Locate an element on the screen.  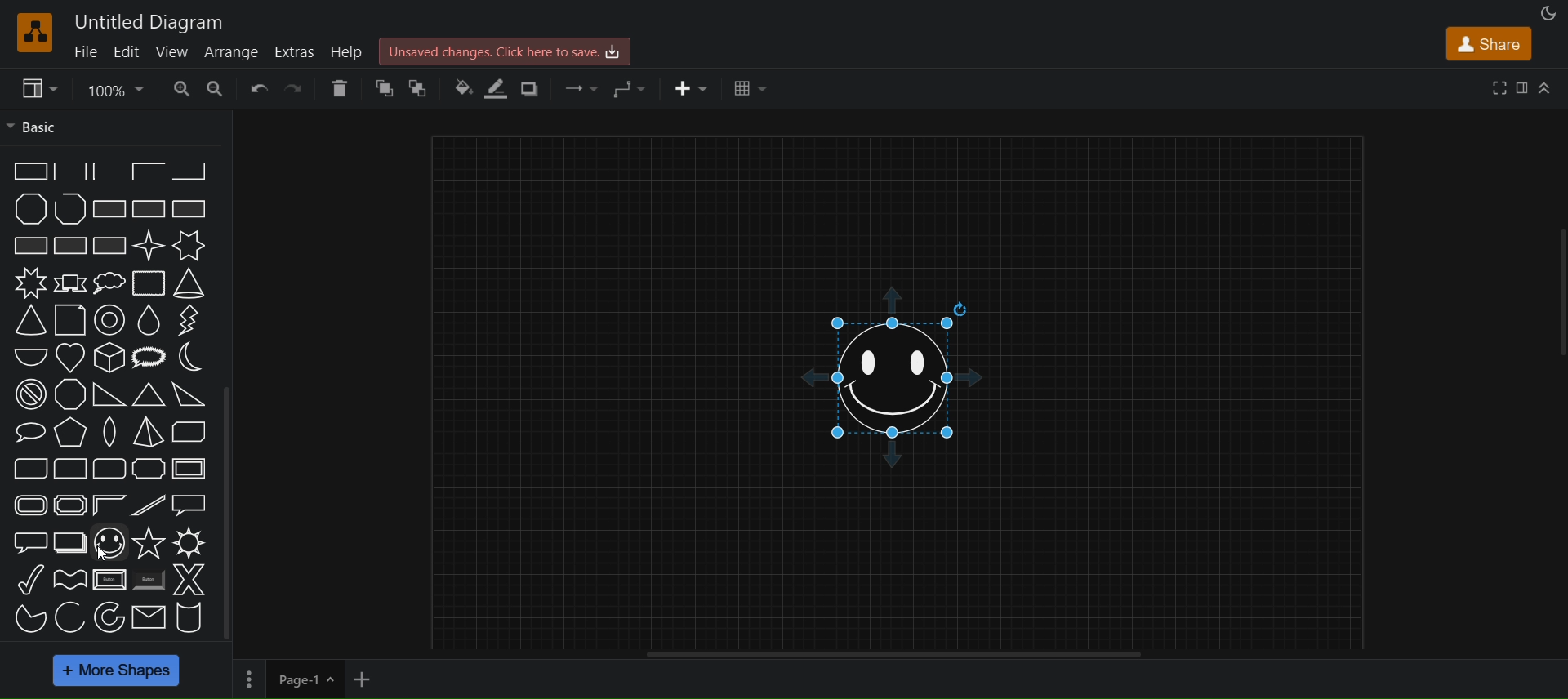
arrange is located at coordinates (230, 52).